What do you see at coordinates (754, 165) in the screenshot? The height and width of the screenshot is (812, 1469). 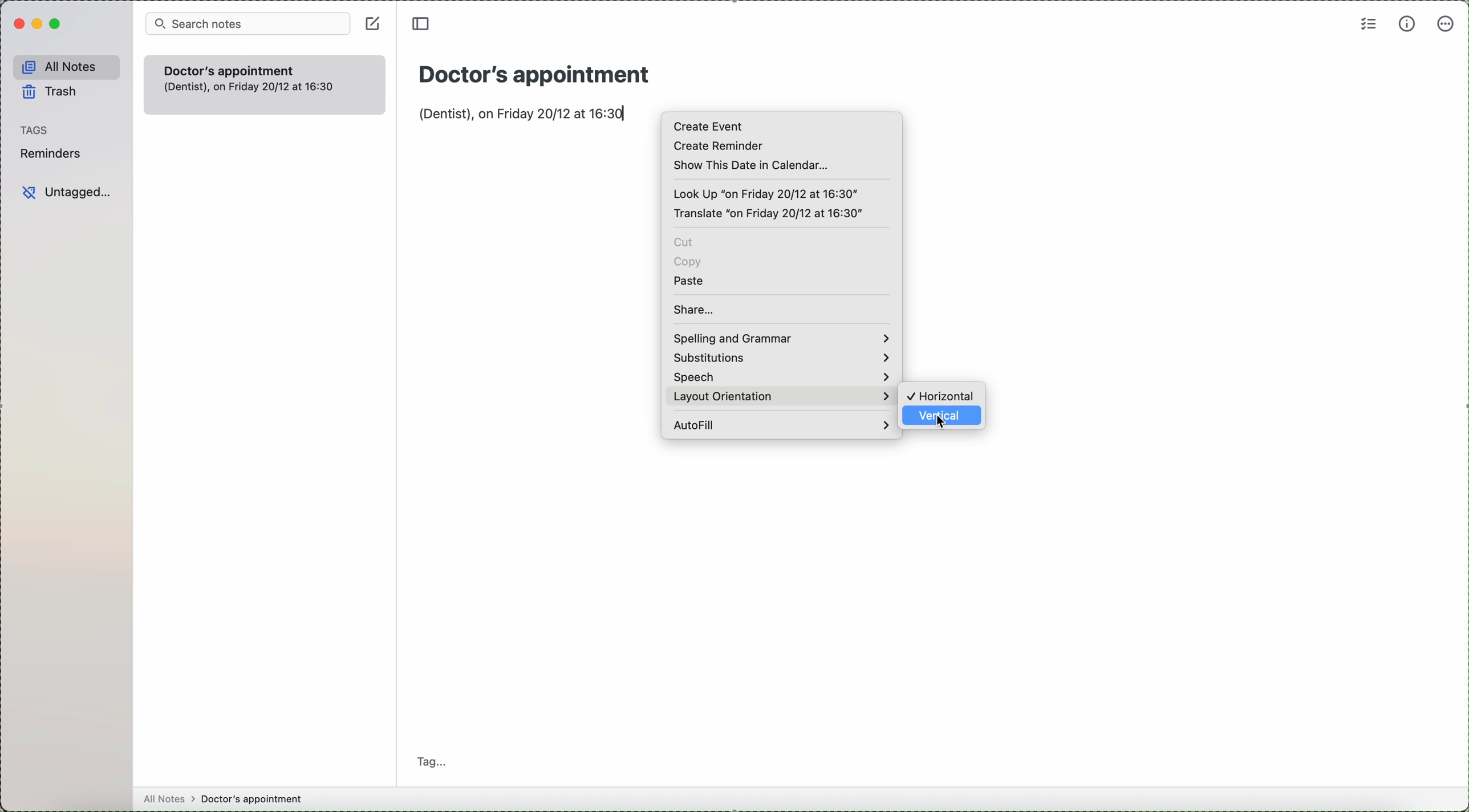 I see `show this date in calendar` at bounding box center [754, 165].